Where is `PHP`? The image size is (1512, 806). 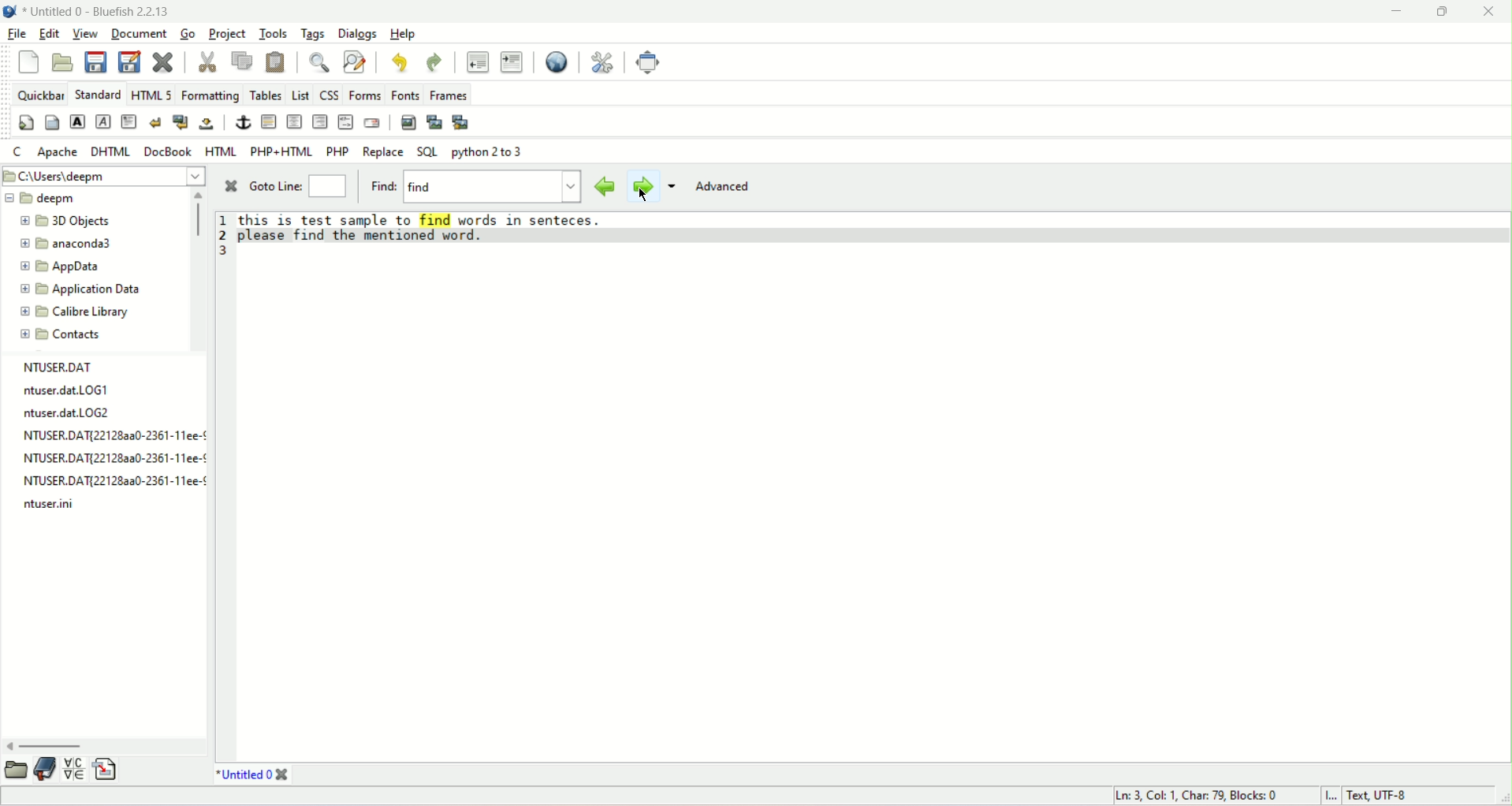
PHP is located at coordinates (337, 150).